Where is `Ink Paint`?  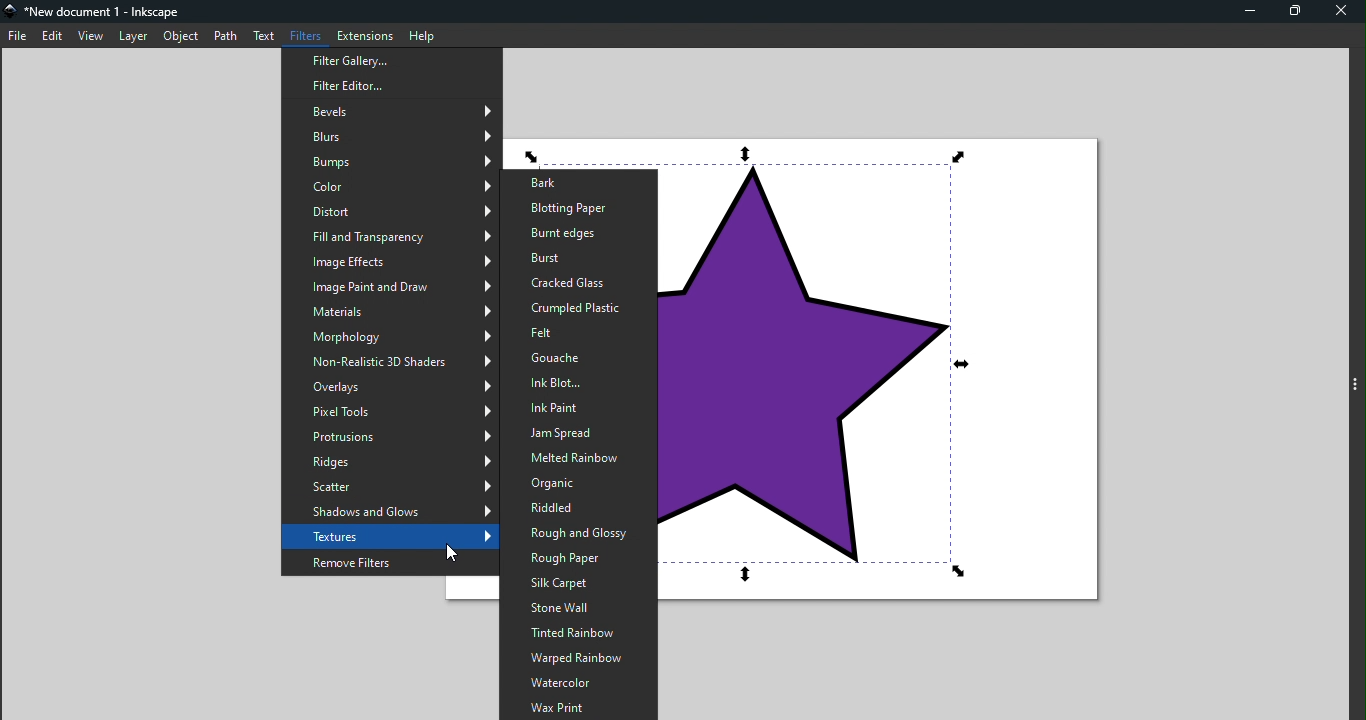
Ink Paint is located at coordinates (577, 409).